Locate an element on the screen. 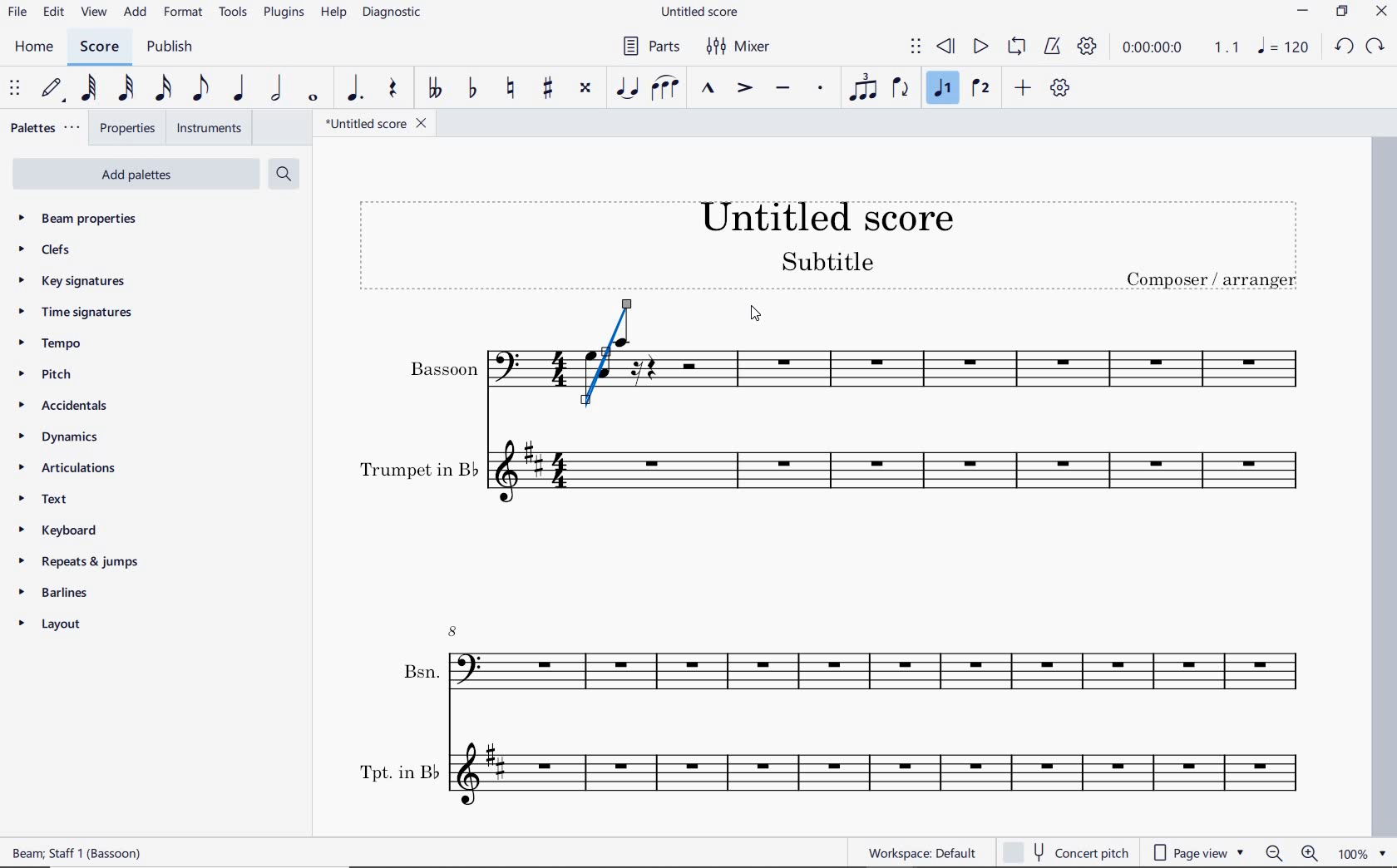 The width and height of the screenshot is (1397, 868). score is located at coordinates (98, 46).